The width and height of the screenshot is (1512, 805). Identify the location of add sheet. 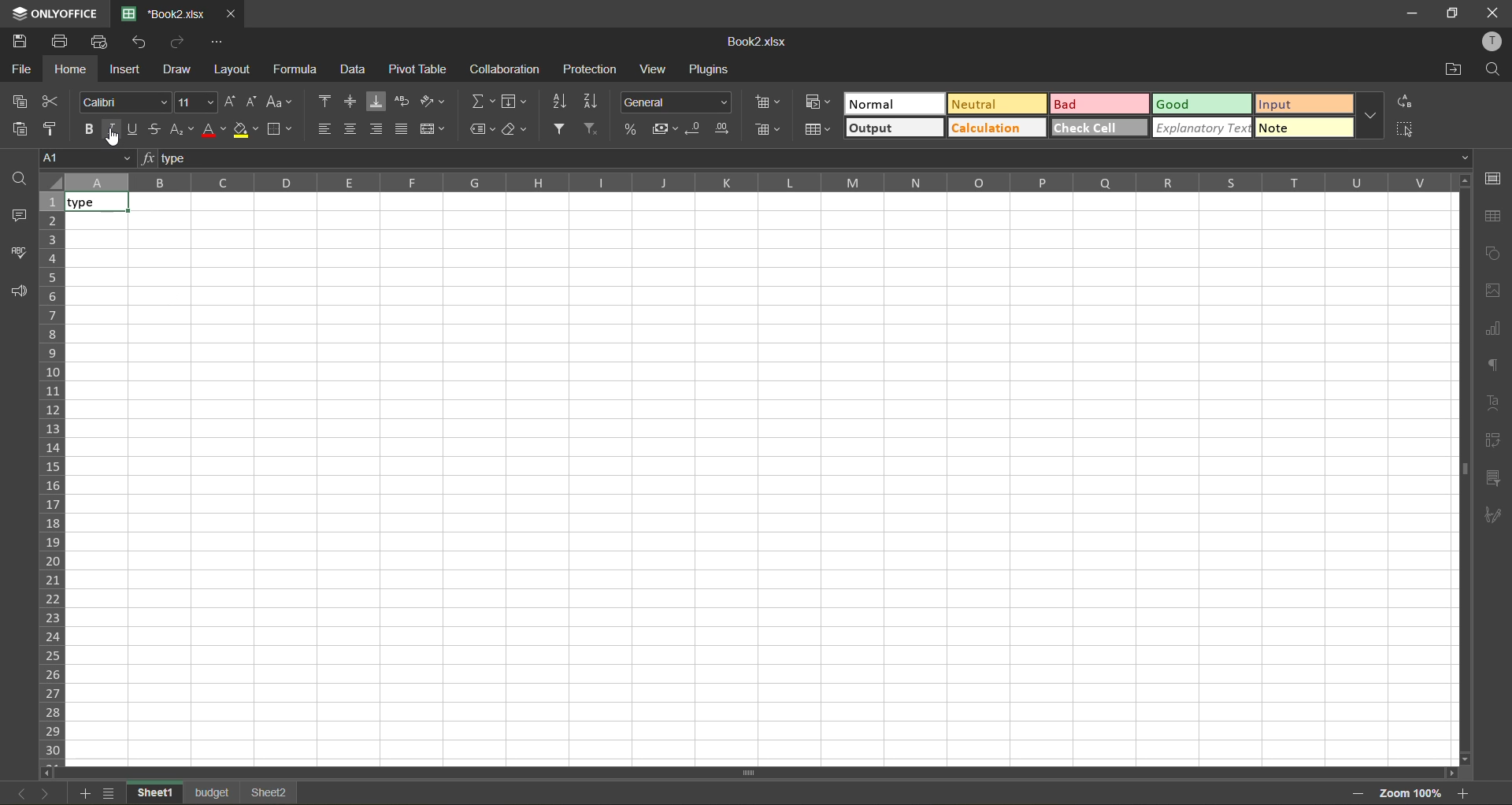
(84, 794).